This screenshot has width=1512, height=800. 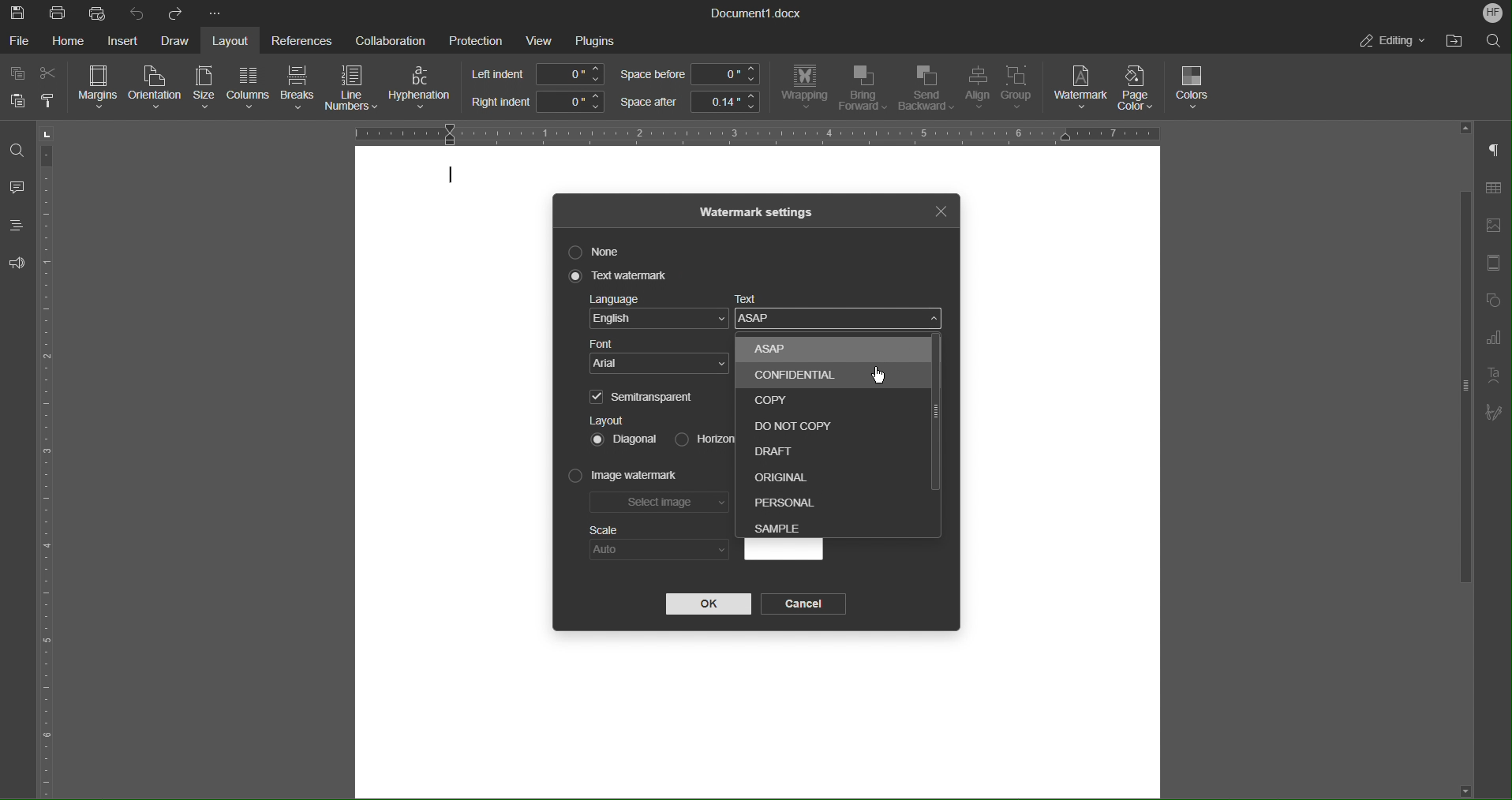 What do you see at coordinates (1494, 413) in the screenshot?
I see `Signature` at bounding box center [1494, 413].